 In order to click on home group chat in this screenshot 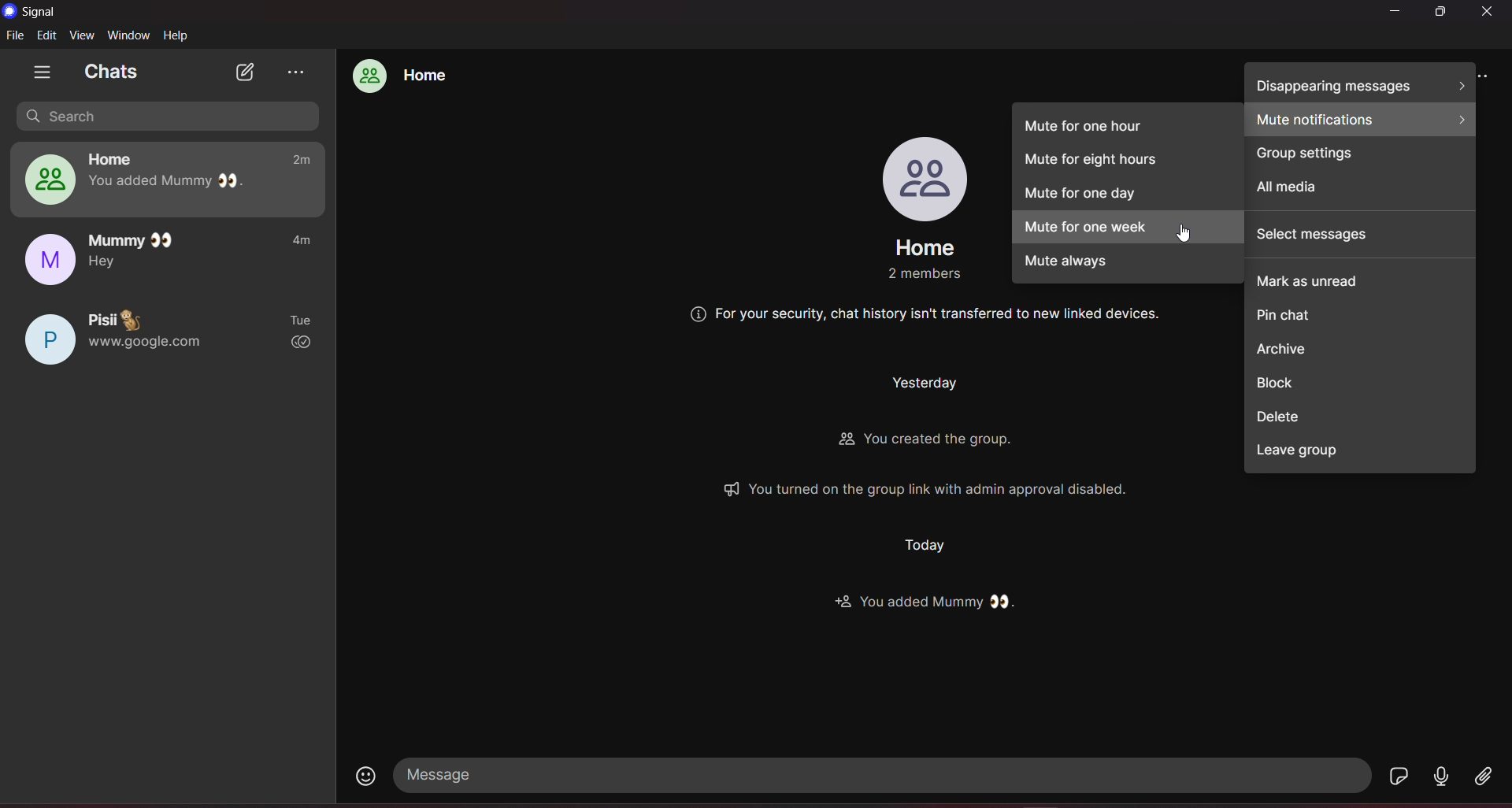, I will do `click(173, 178)`.